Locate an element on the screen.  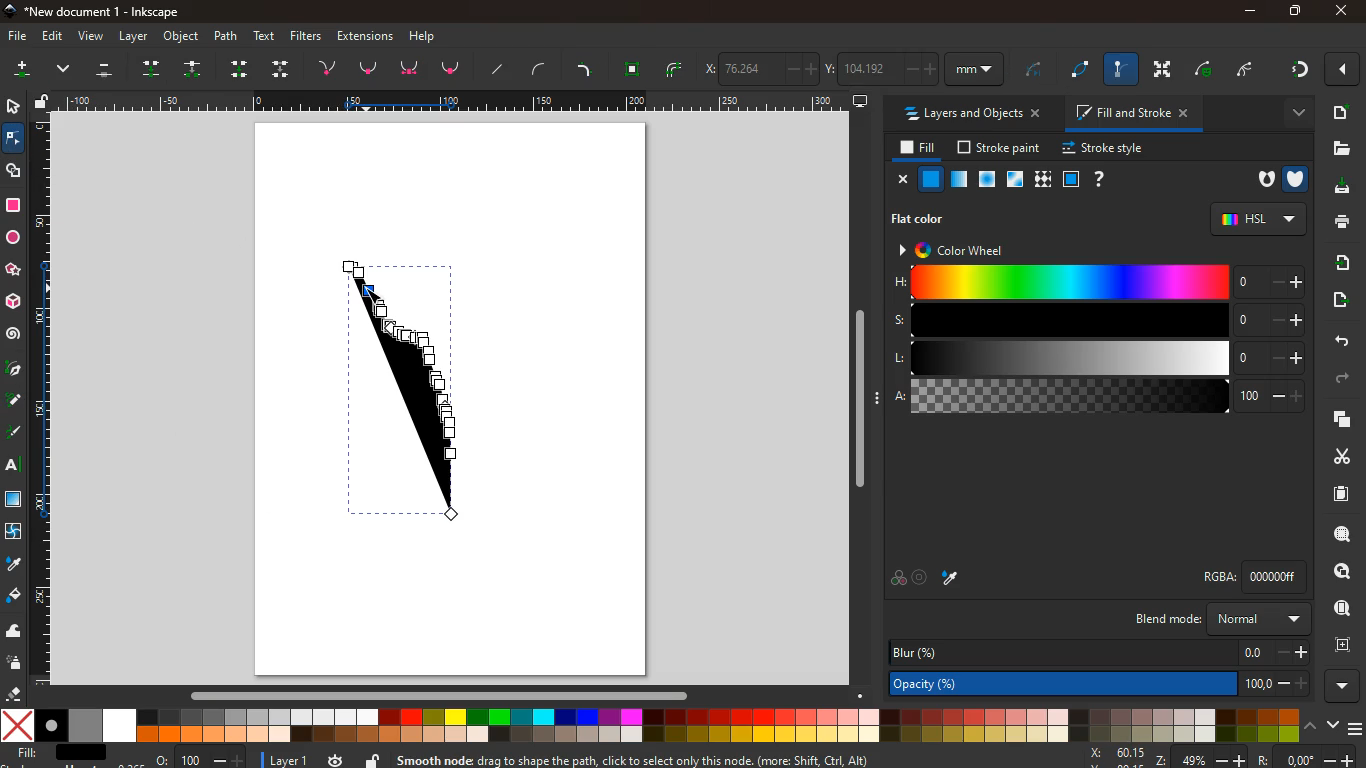
maximize is located at coordinates (1290, 10).